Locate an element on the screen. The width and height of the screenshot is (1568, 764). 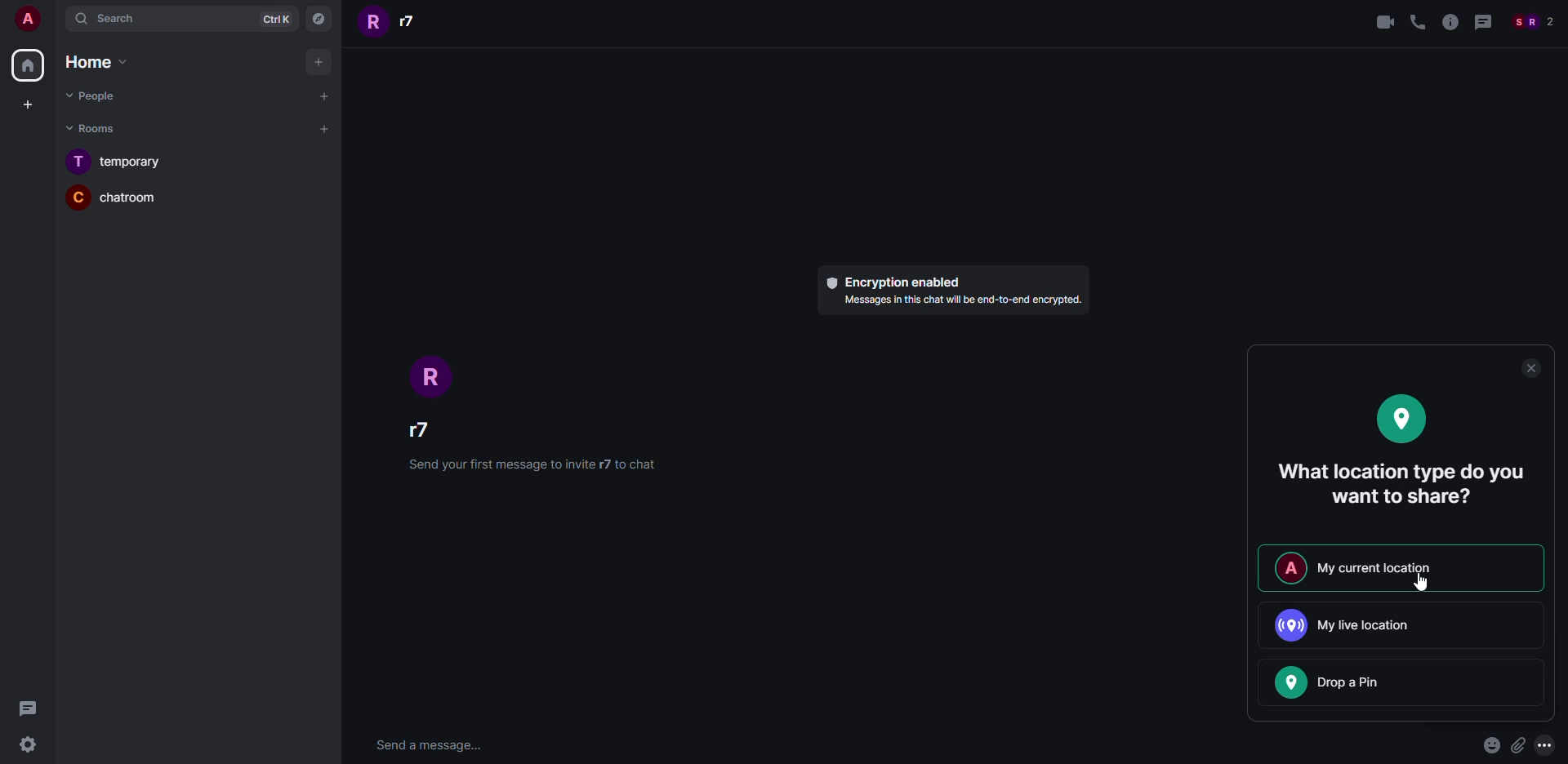
Encryption enabled is located at coordinates (893, 282).